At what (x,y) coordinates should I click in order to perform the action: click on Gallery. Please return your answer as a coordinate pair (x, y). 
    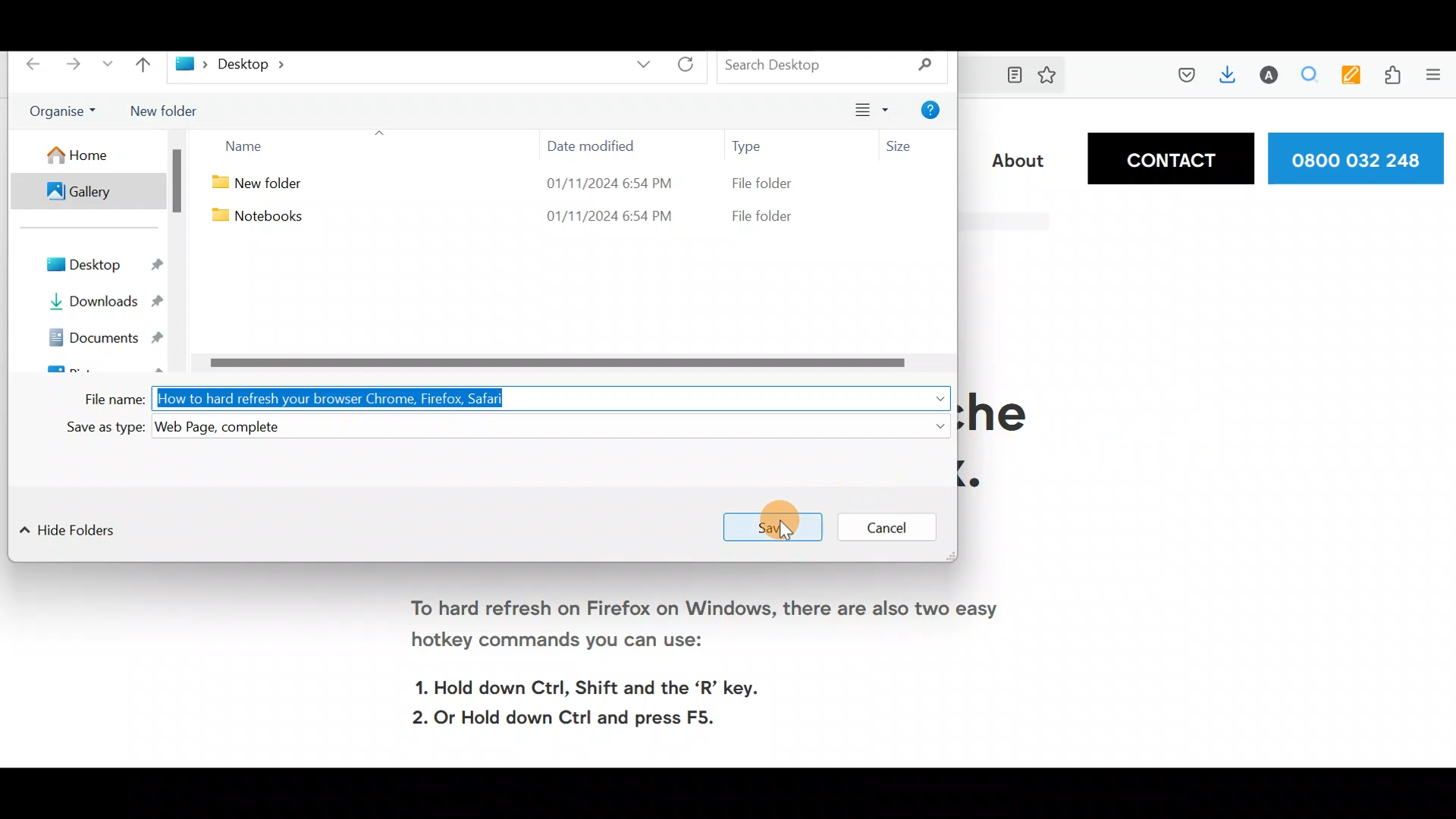
    Looking at the image, I should click on (80, 191).